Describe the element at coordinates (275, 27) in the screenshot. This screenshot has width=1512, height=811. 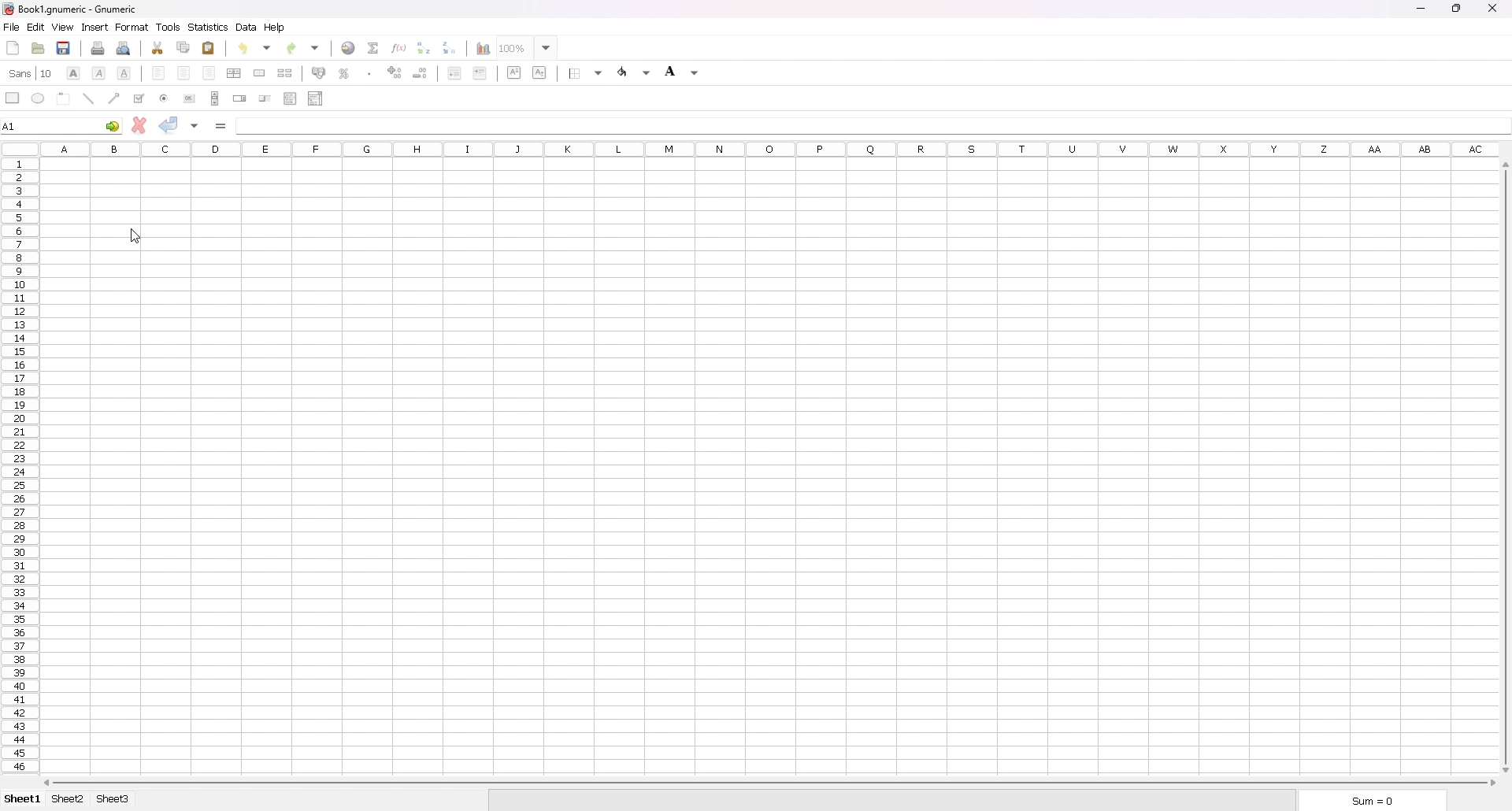
I see `help` at that location.